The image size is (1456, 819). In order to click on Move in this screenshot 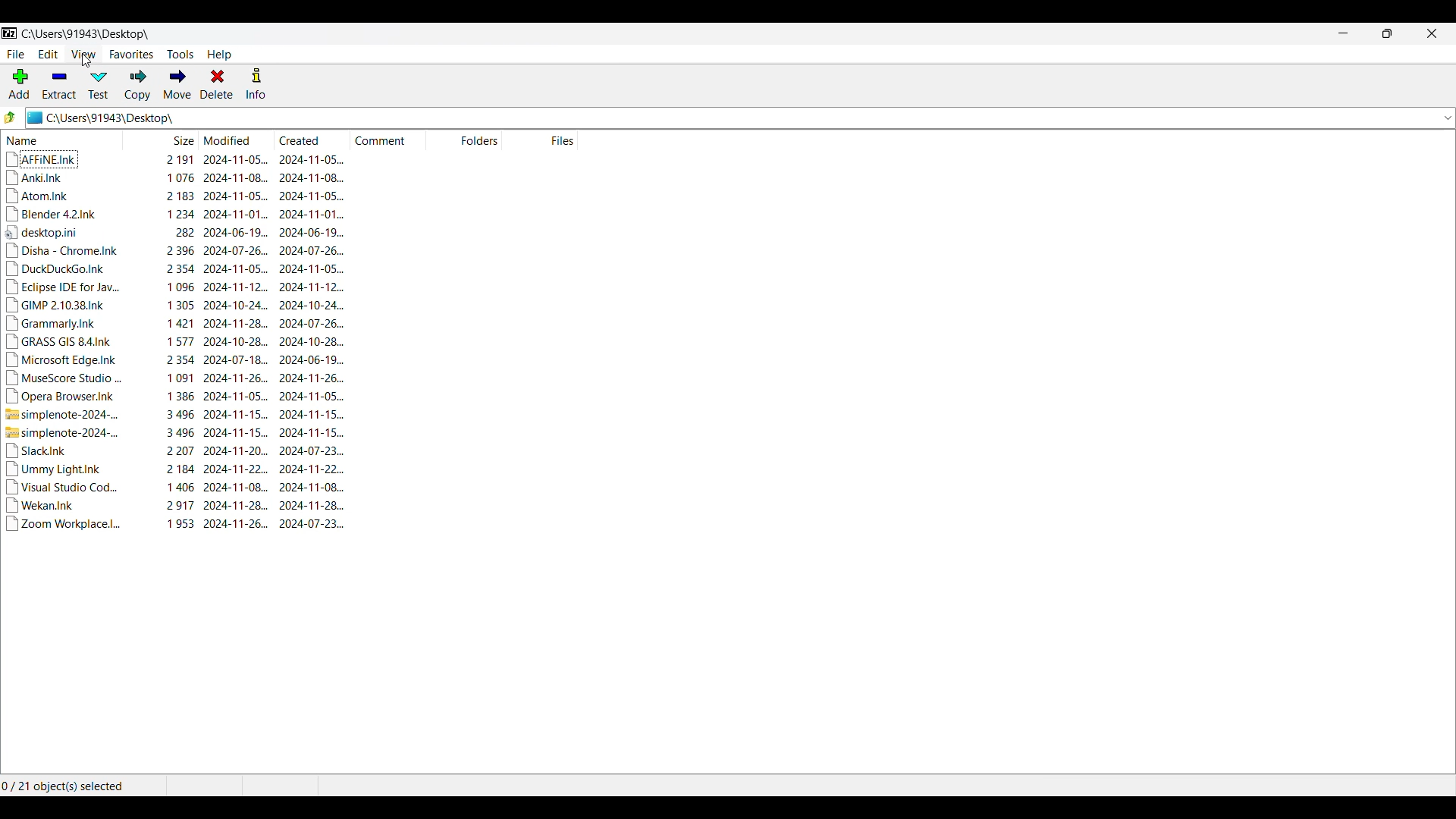, I will do `click(177, 83)`.